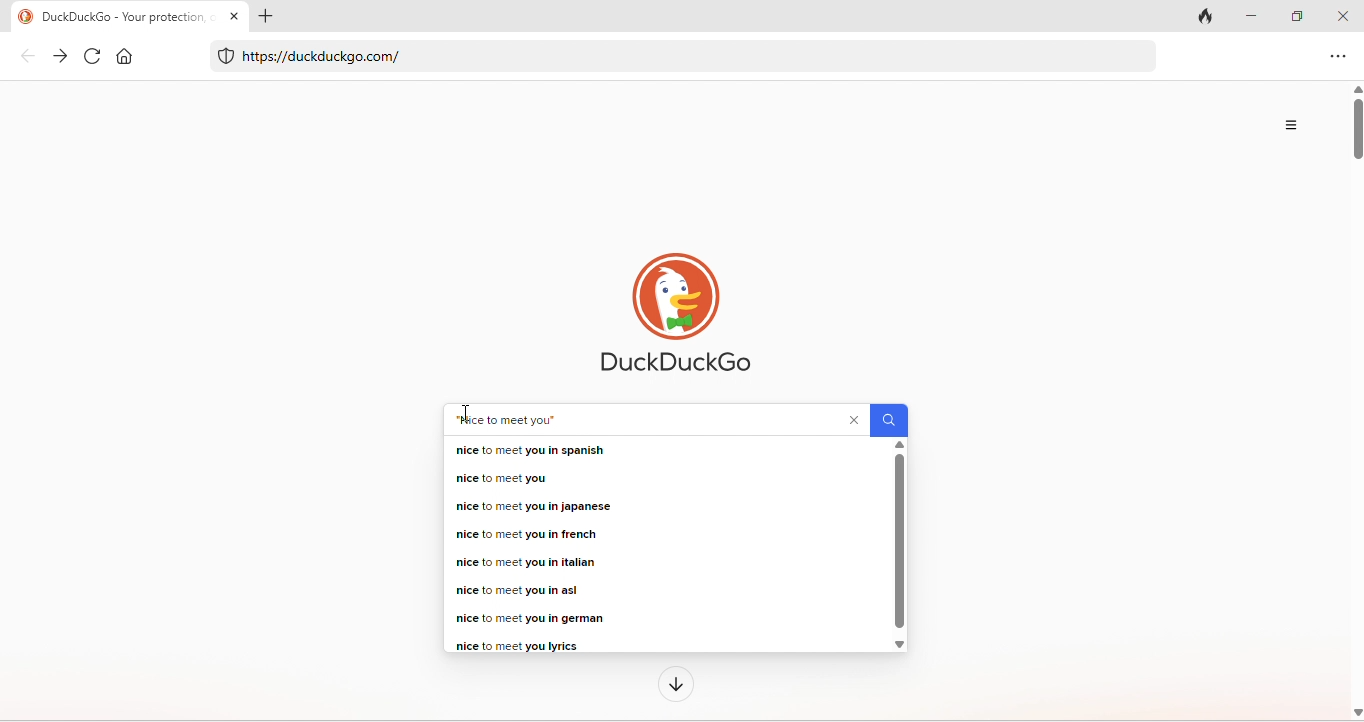  Describe the element at coordinates (535, 618) in the screenshot. I see `nice to meet you in german` at that location.